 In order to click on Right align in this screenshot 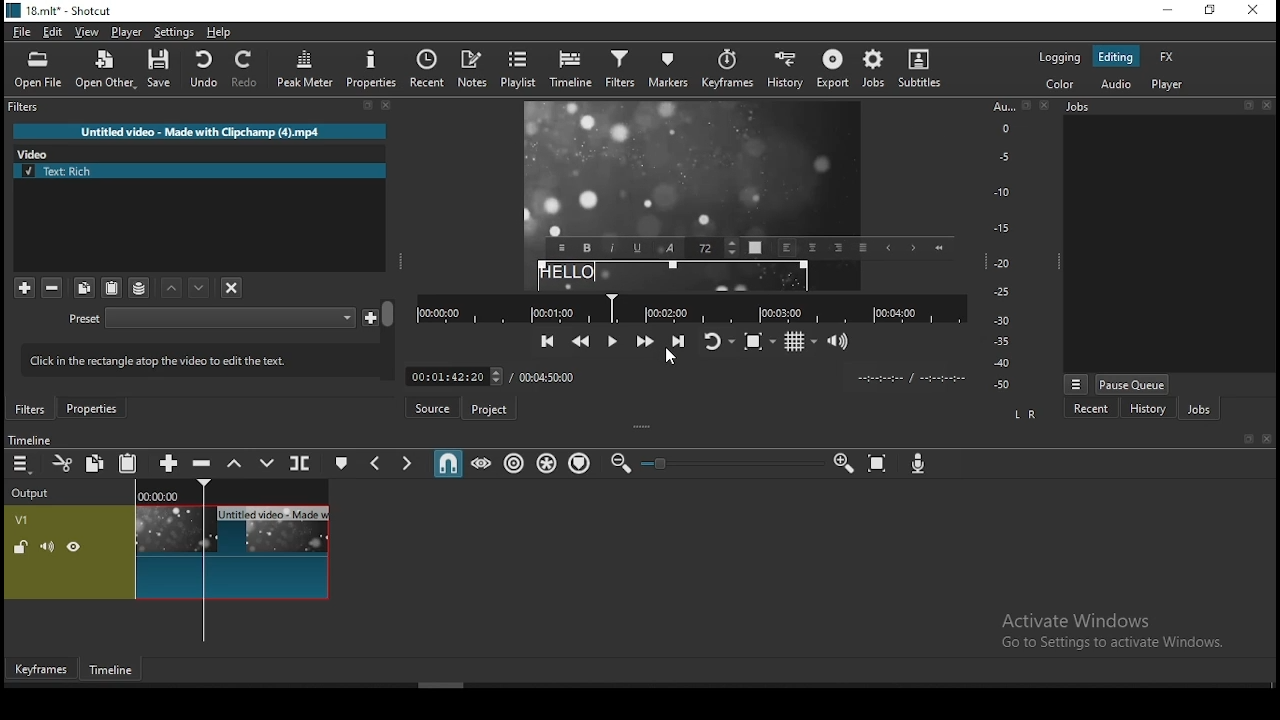, I will do `click(838, 246)`.